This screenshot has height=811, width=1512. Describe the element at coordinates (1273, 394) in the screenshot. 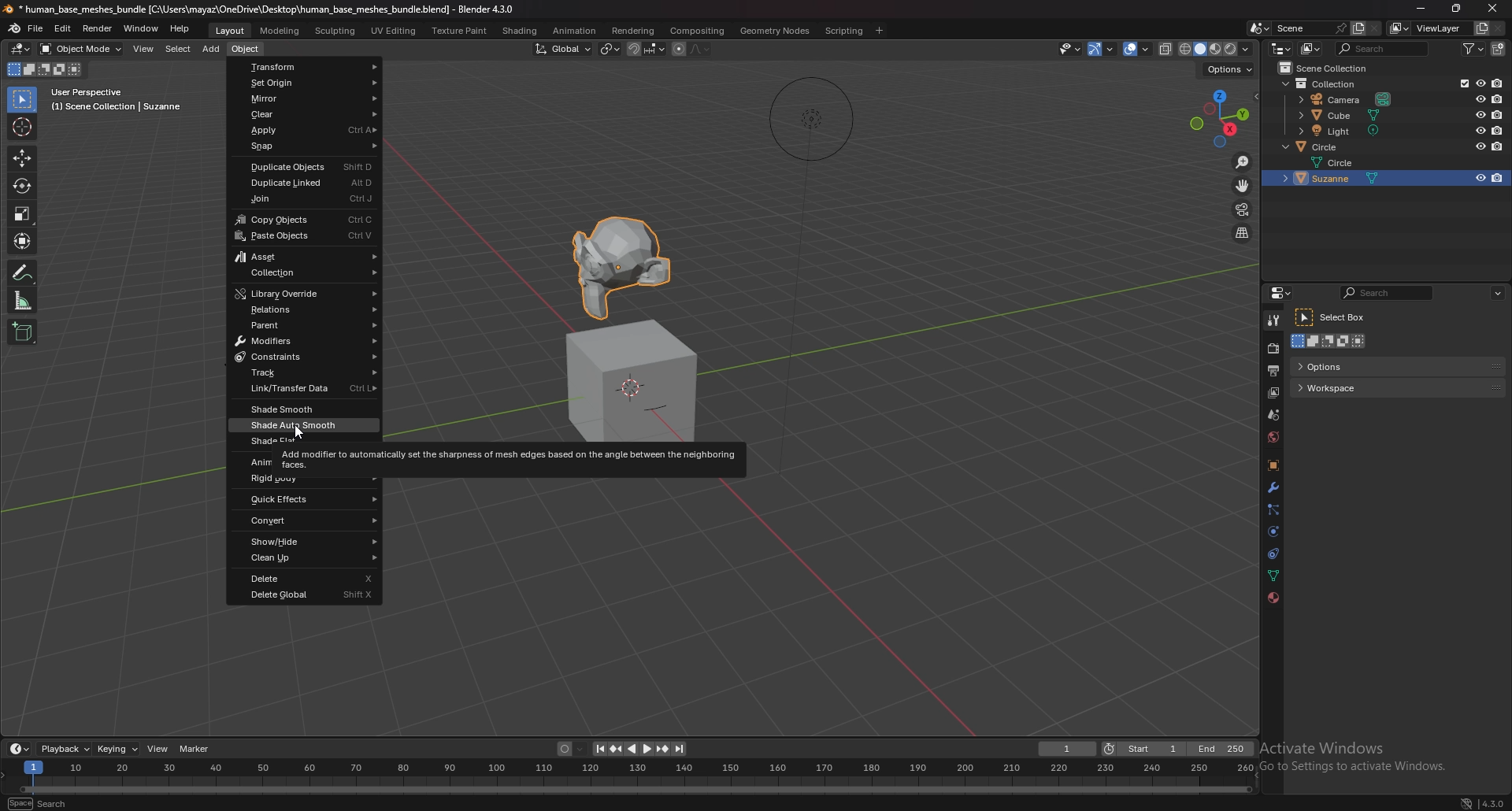

I see `view layer` at that location.